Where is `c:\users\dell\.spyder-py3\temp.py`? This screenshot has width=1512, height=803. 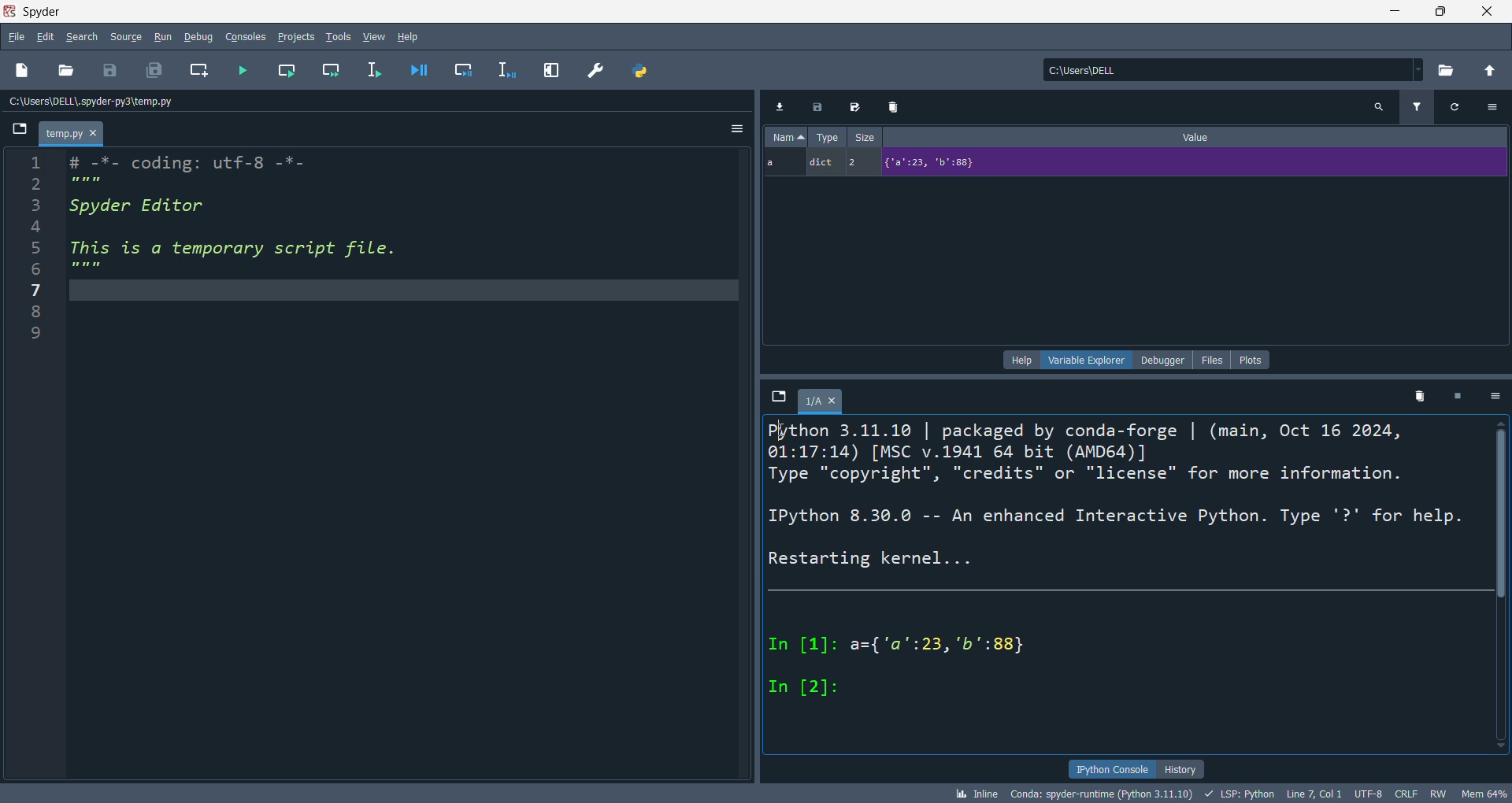 c:\users\dell\.spyder-py3\temp.py is located at coordinates (99, 101).